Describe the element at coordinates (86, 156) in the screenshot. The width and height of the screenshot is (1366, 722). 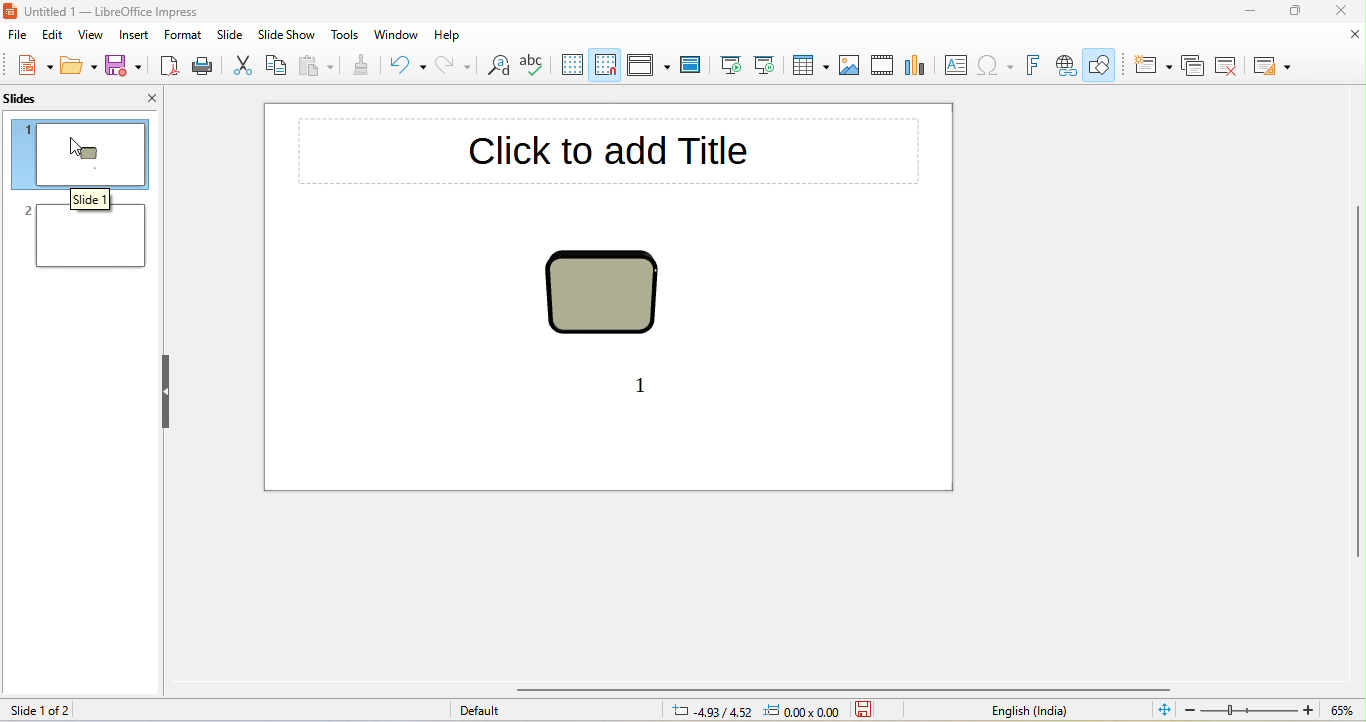
I see `slide 1` at that location.